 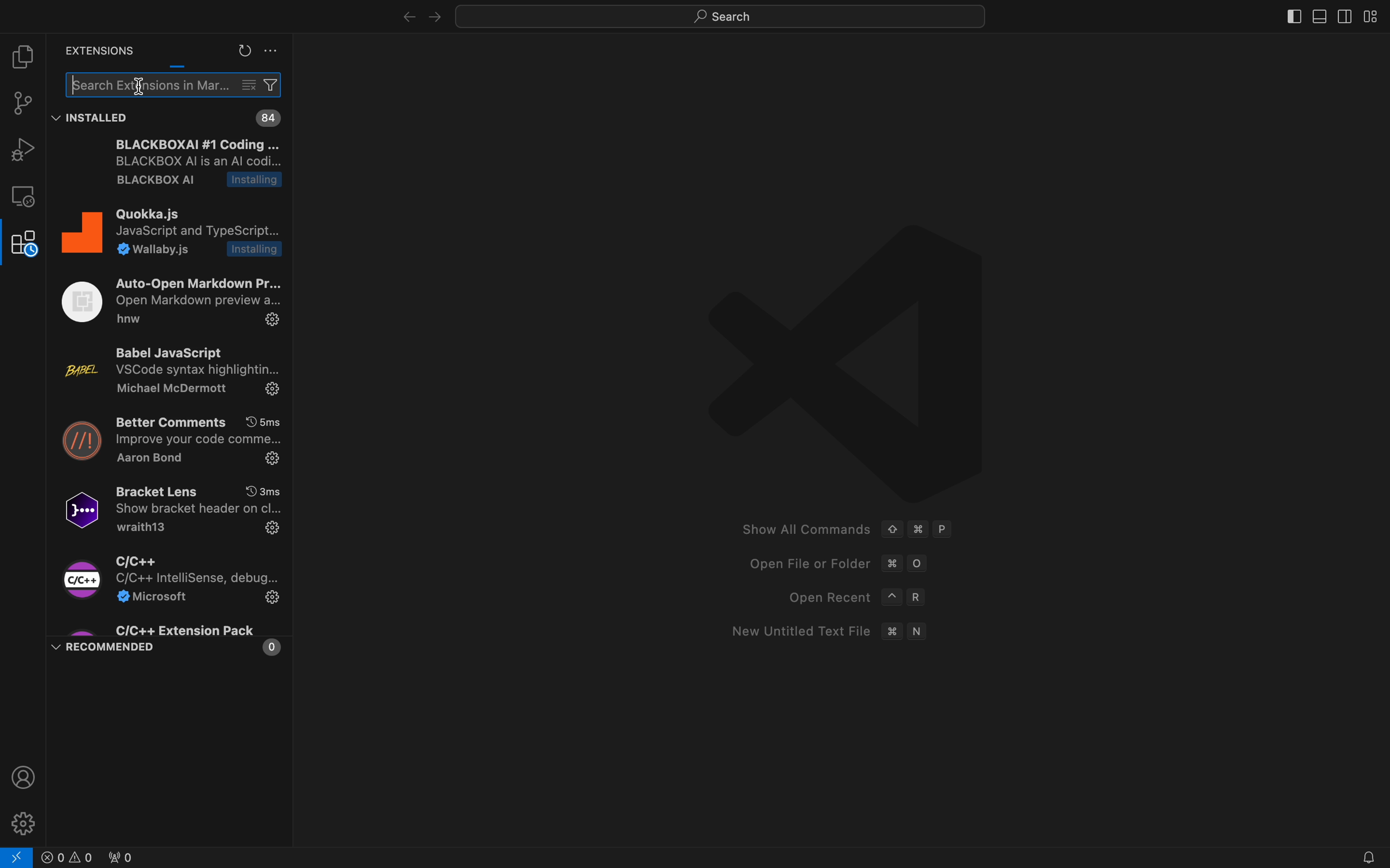 What do you see at coordinates (23, 776) in the screenshot?
I see `profile` at bounding box center [23, 776].